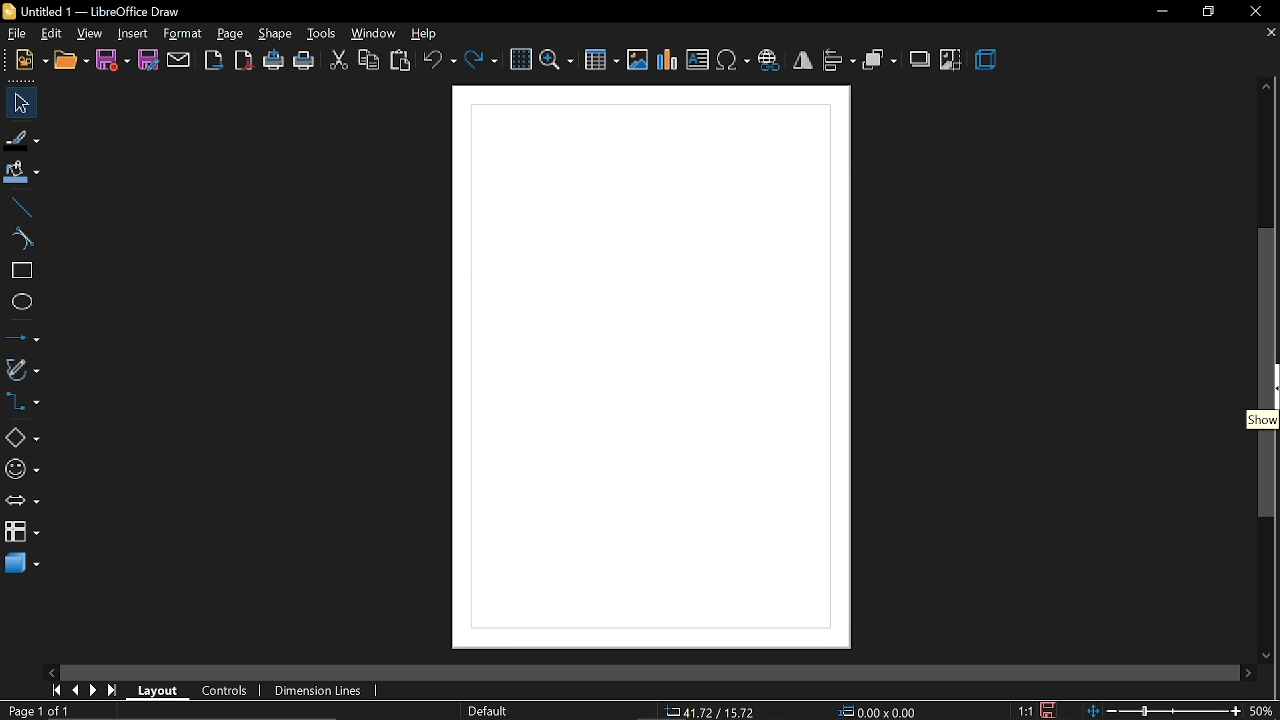 Image resolution: width=1280 pixels, height=720 pixels. Describe the element at coordinates (1265, 712) in the screenshot. I see `current zoom` at that location.